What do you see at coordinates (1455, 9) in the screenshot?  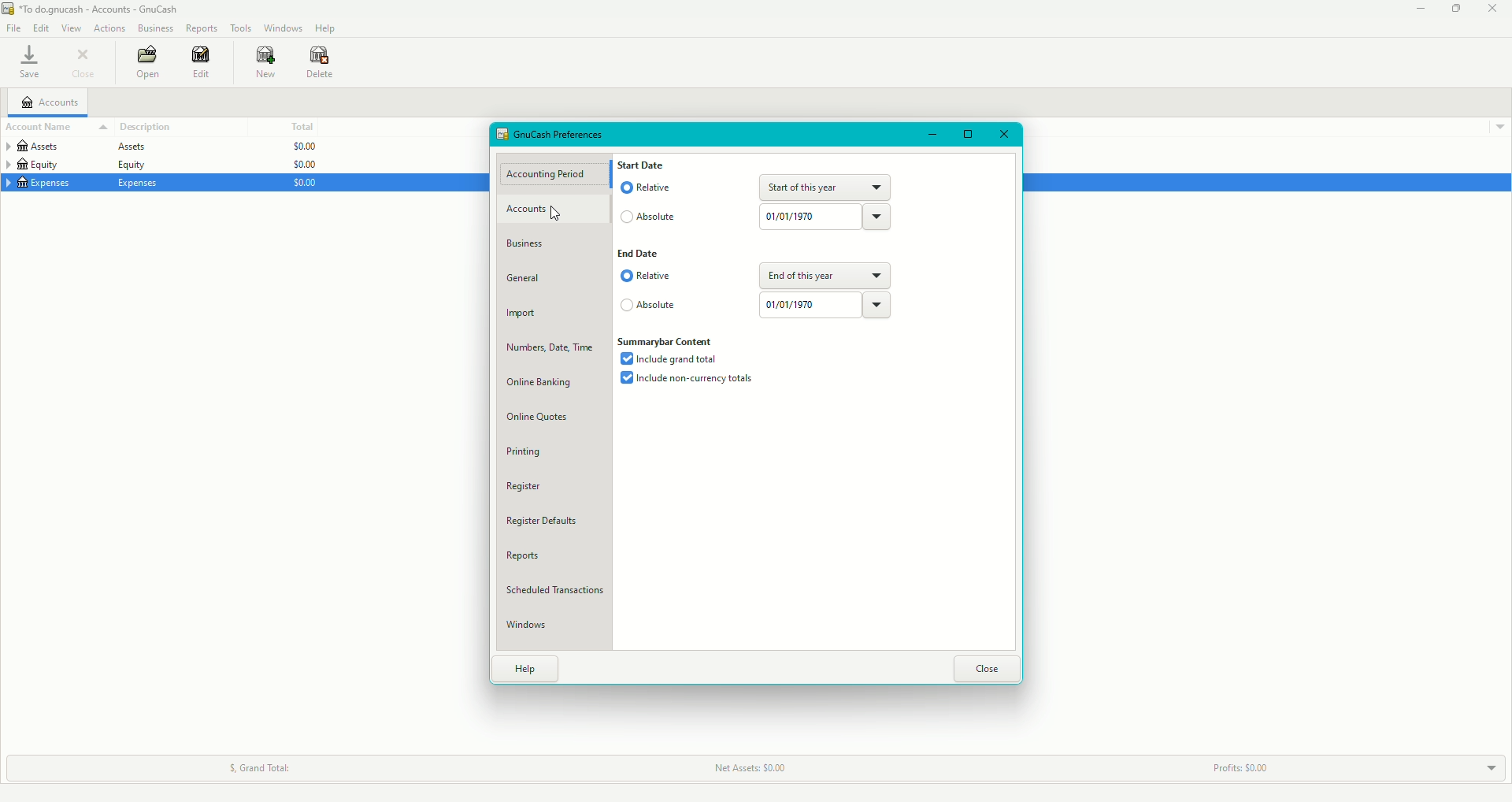 I see `Restore` at bounding box center [1455, 9].